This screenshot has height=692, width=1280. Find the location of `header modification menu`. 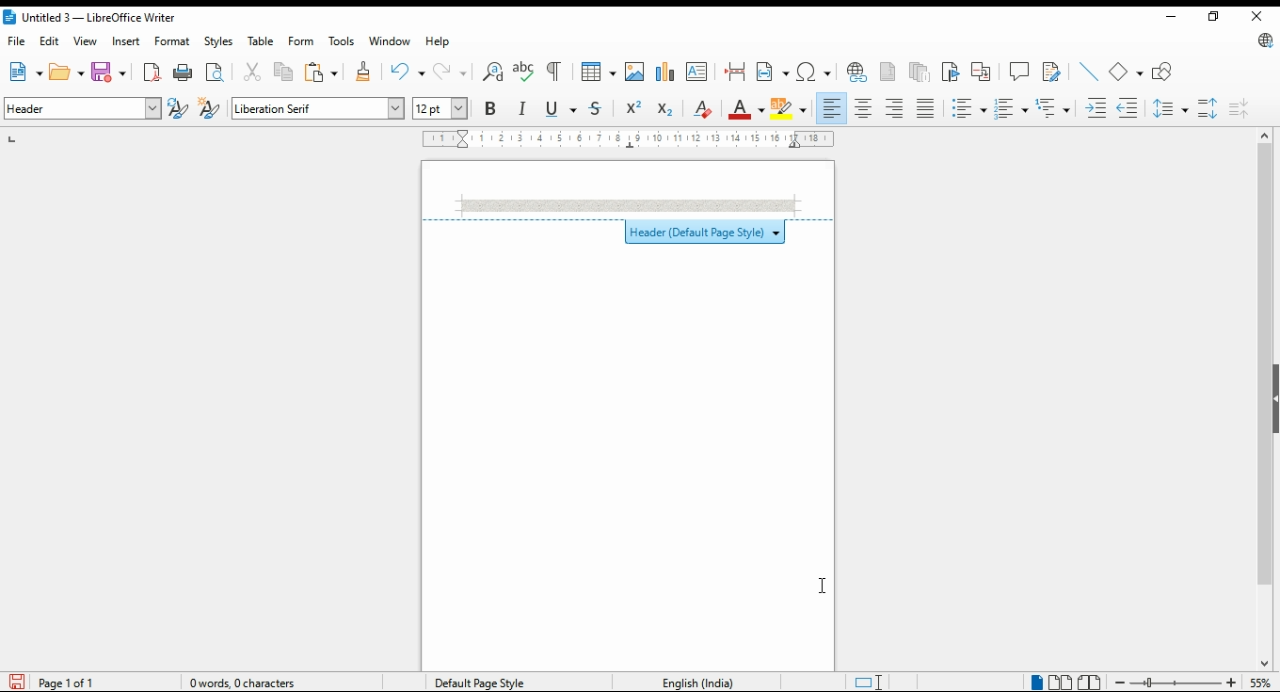

header modification menu is located at coordinates (627, 229).